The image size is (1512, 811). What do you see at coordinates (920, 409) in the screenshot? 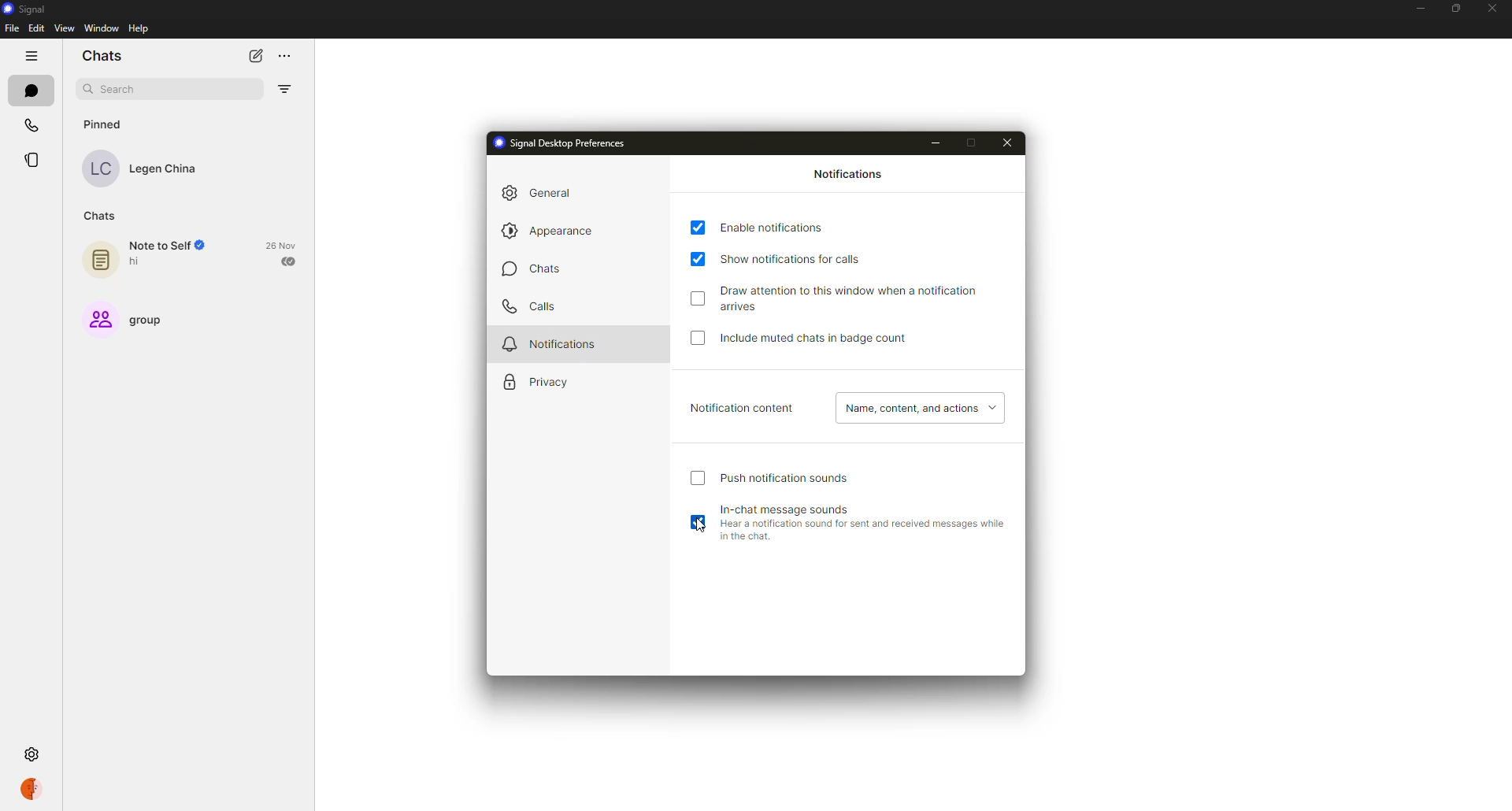
I see `name, content, actions` at bounding box center [920, 409].